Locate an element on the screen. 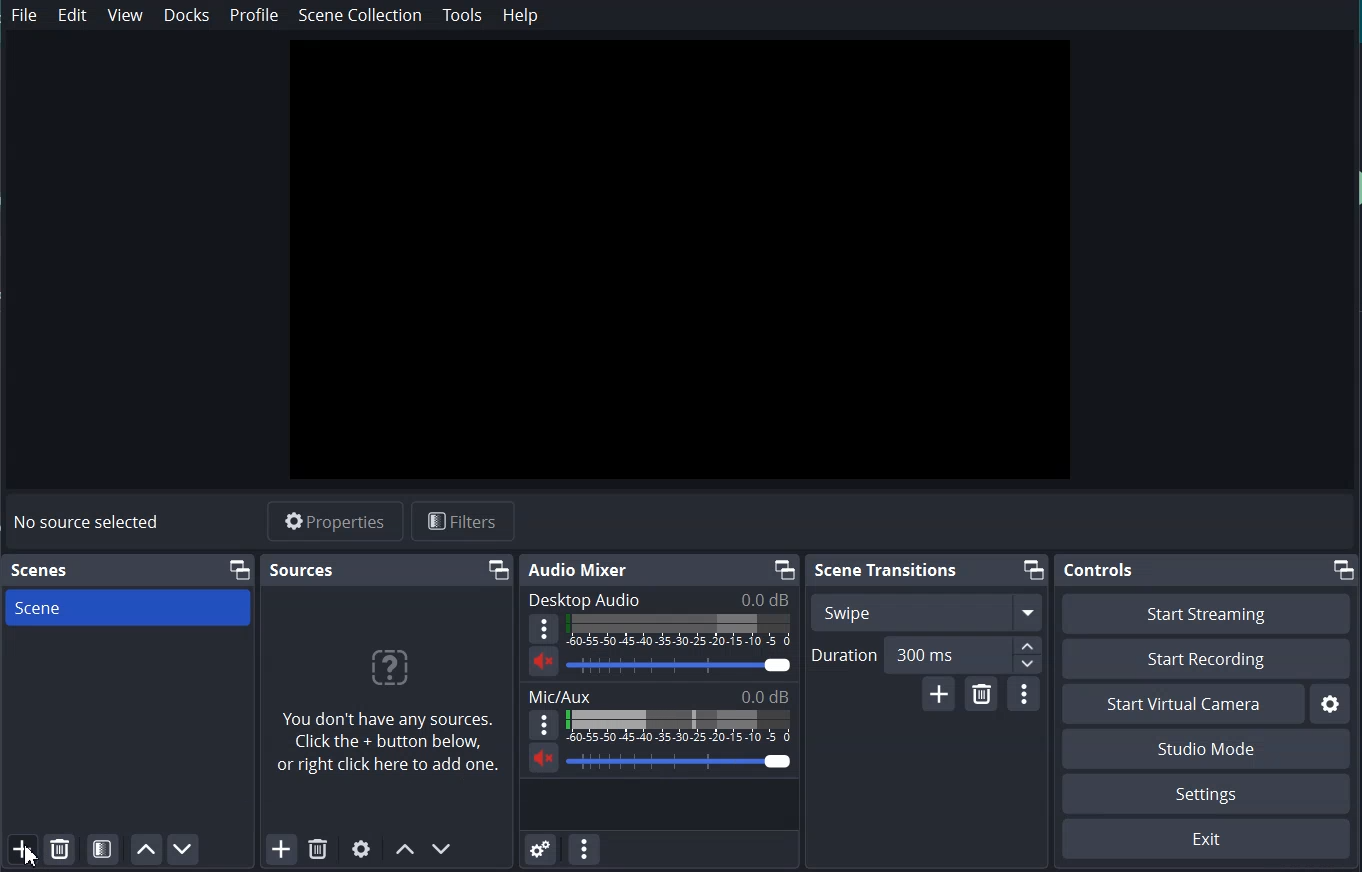 The image size is (1362, 872). Text is located at coordinates (660, 695).